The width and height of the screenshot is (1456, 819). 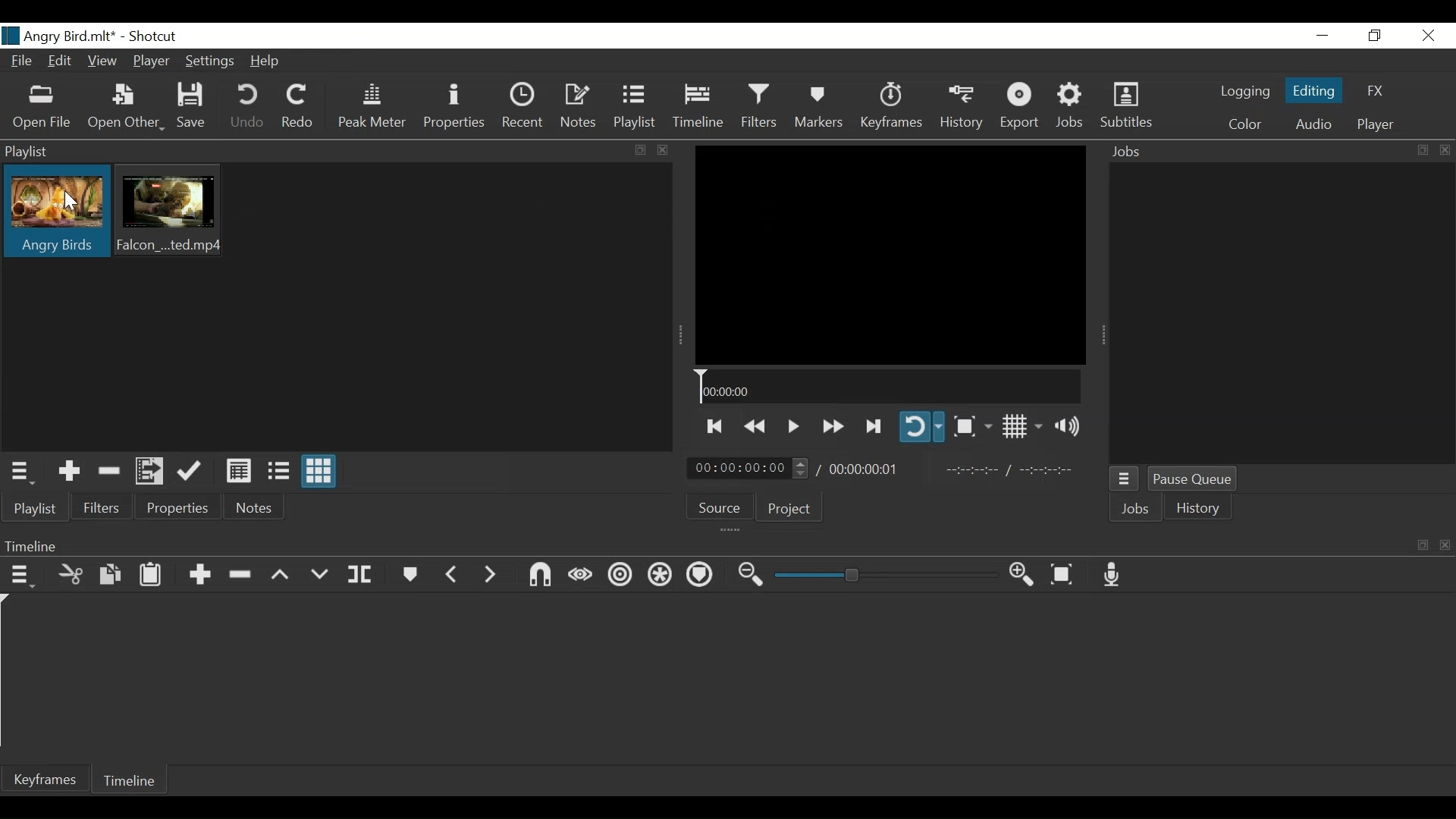 What do you see at coordinates (832, 425) in the screenshot?
I see `Play quickly forward` at bounding box center [832, 425].